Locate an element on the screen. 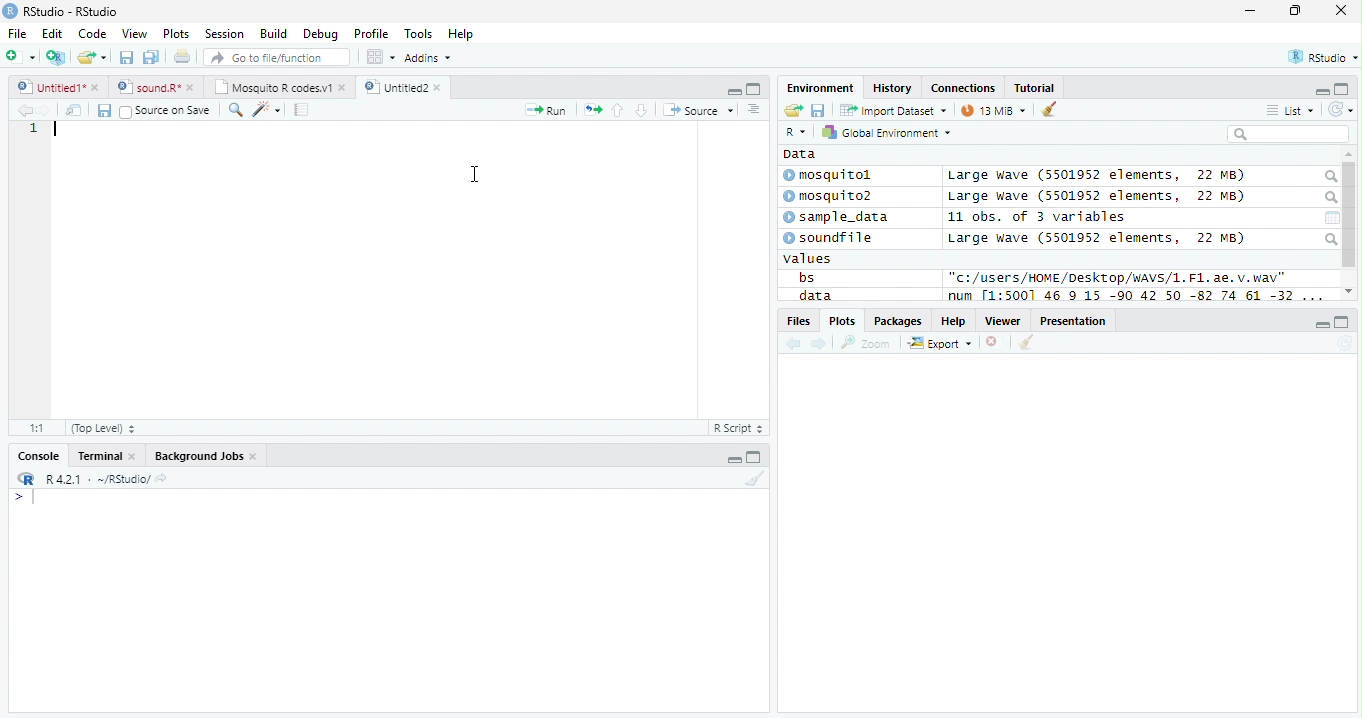 Image resolution: width=1362 pixels, height=718 pixels. 1:1 is located at coordinates (37, 428).